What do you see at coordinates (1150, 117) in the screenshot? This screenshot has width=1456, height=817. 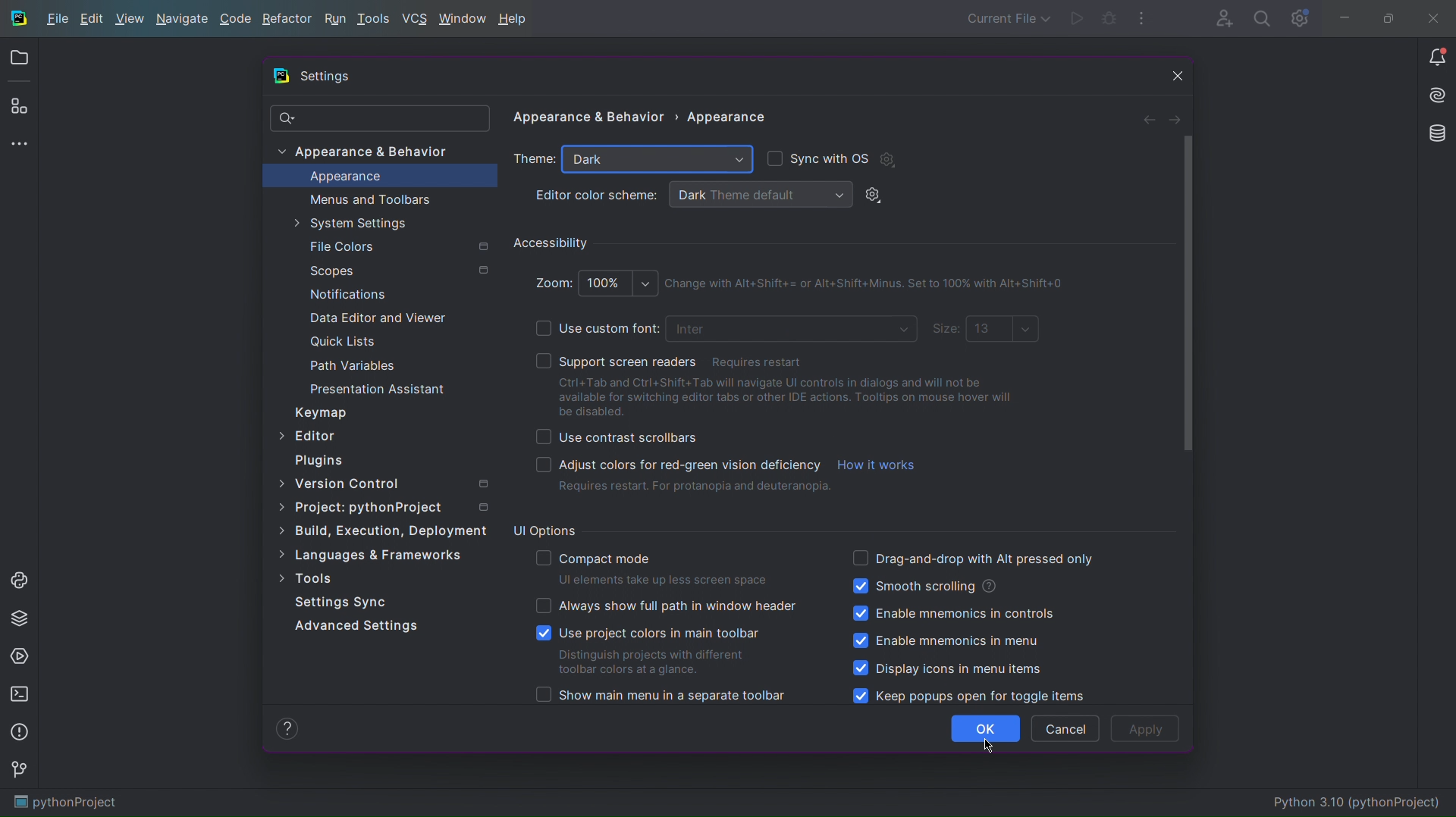 I see `Back` at bounding box center [1150, 117].